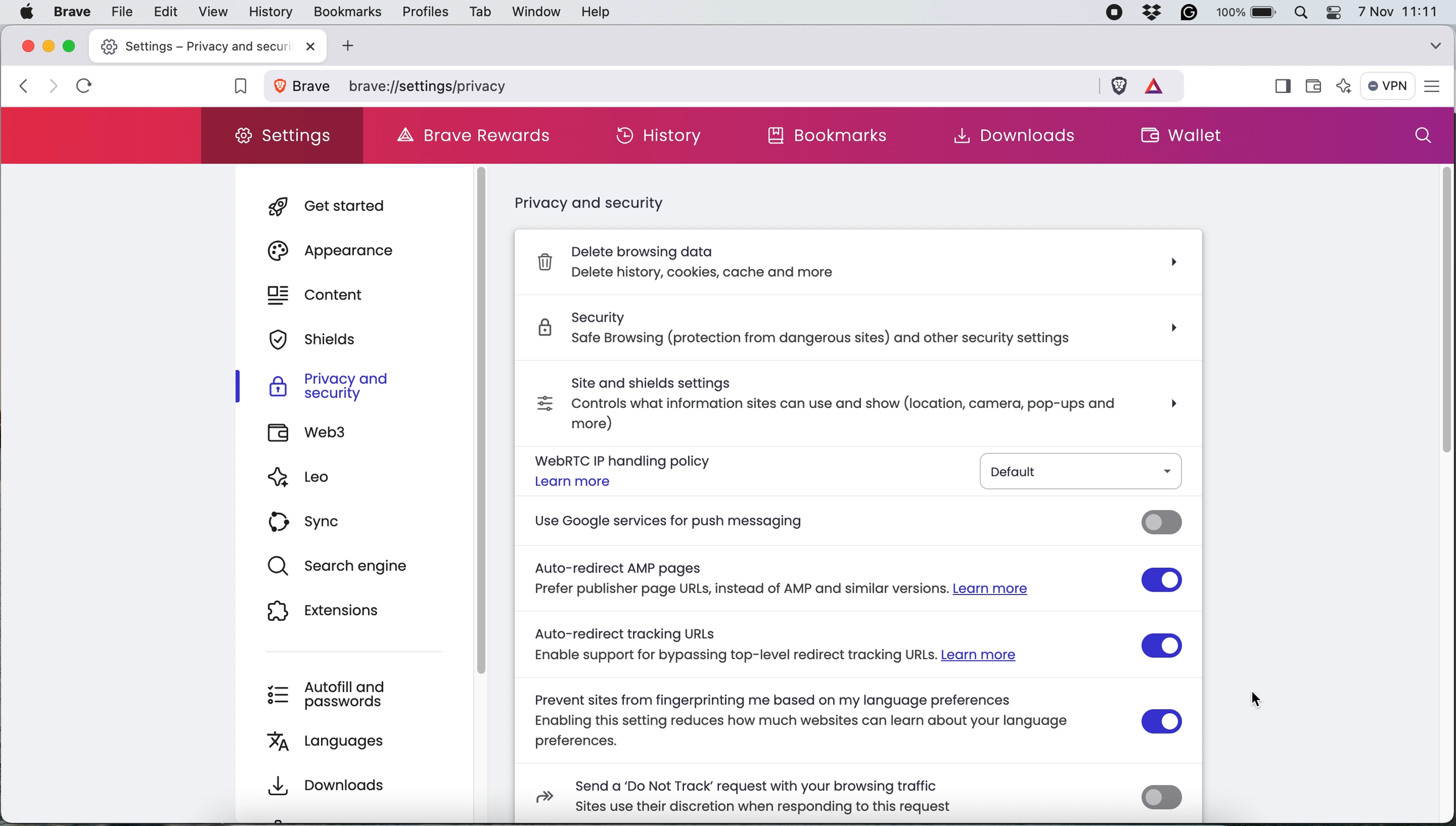  I want to click on tab, so click(478, 14).